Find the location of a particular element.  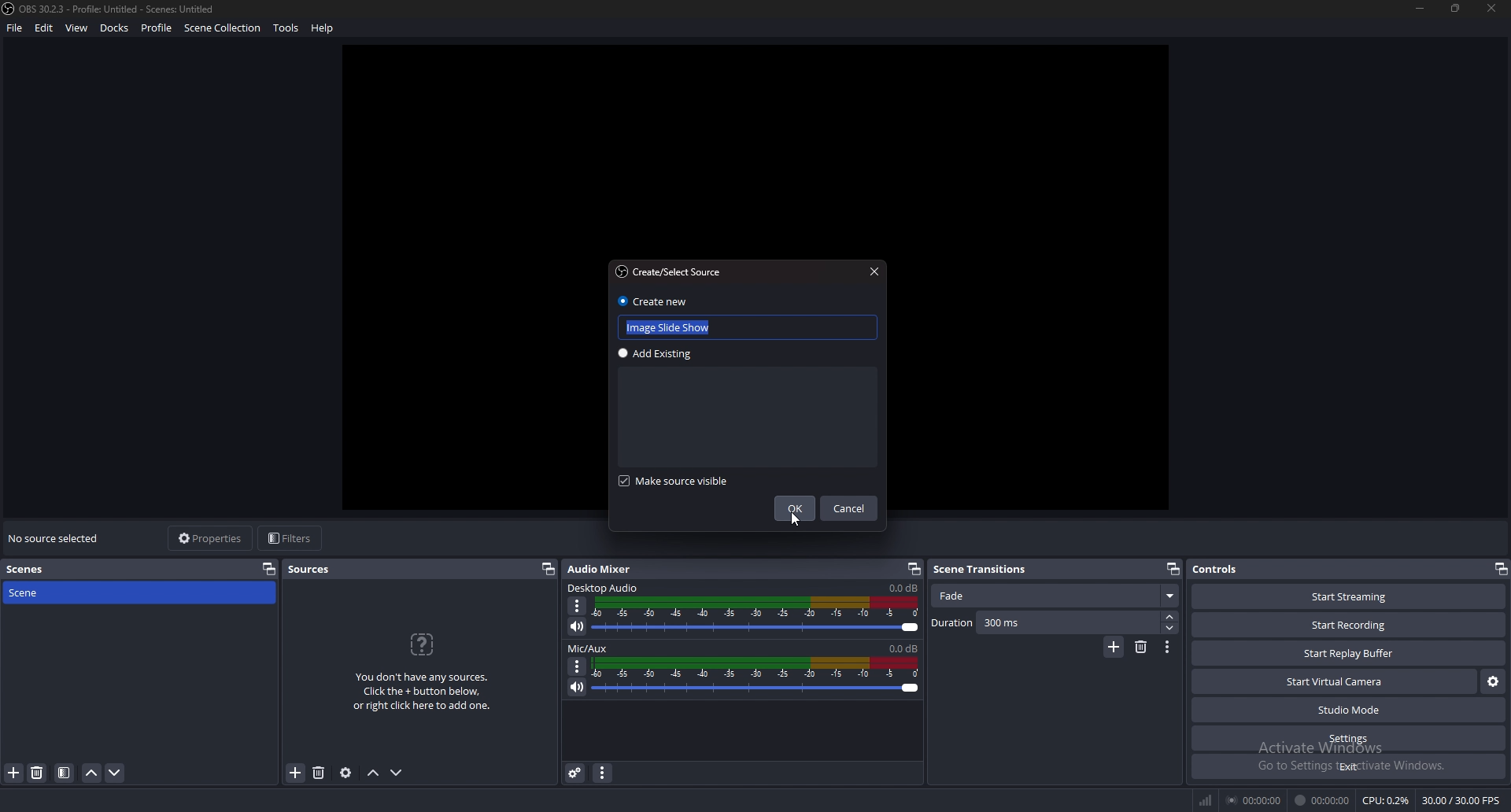

add transition is located at coordinates (1112, 648).